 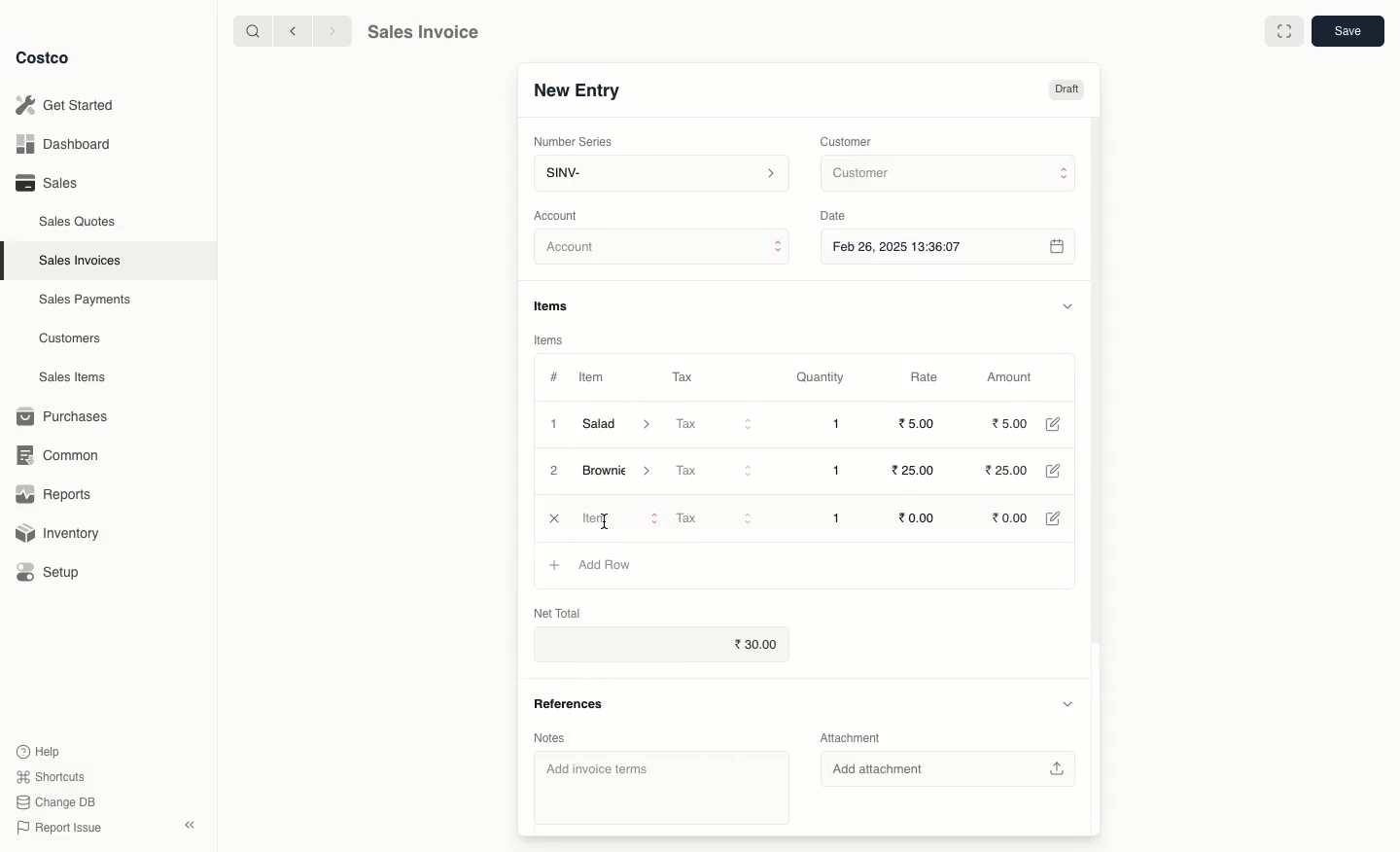 I want to click on 1, so click(x=836, y=424).